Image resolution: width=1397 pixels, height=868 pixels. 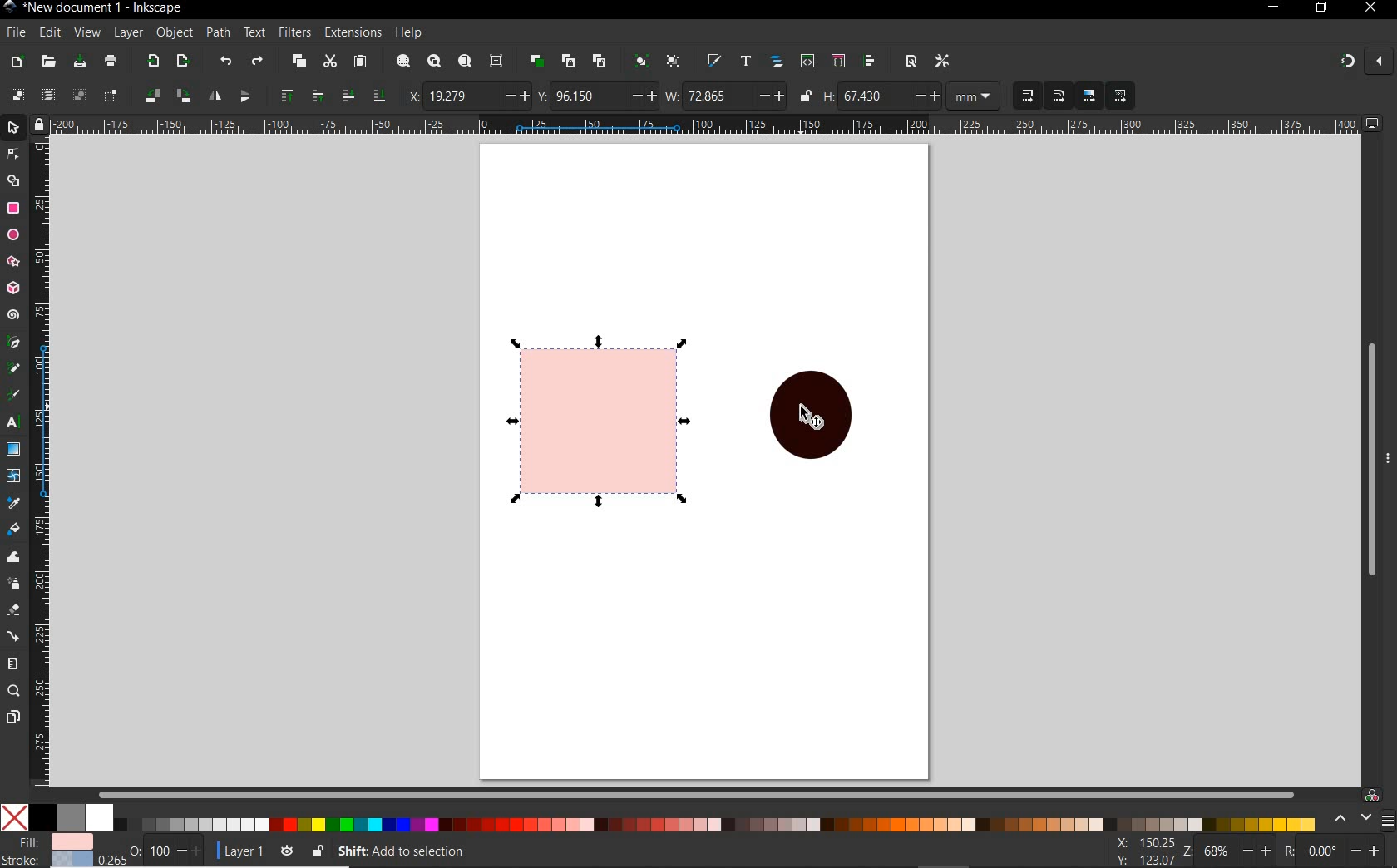 What do you see at coordinates (1365, 60) in the screenshot?
I see `snapping on and off` at bounding box center [1365, 60].